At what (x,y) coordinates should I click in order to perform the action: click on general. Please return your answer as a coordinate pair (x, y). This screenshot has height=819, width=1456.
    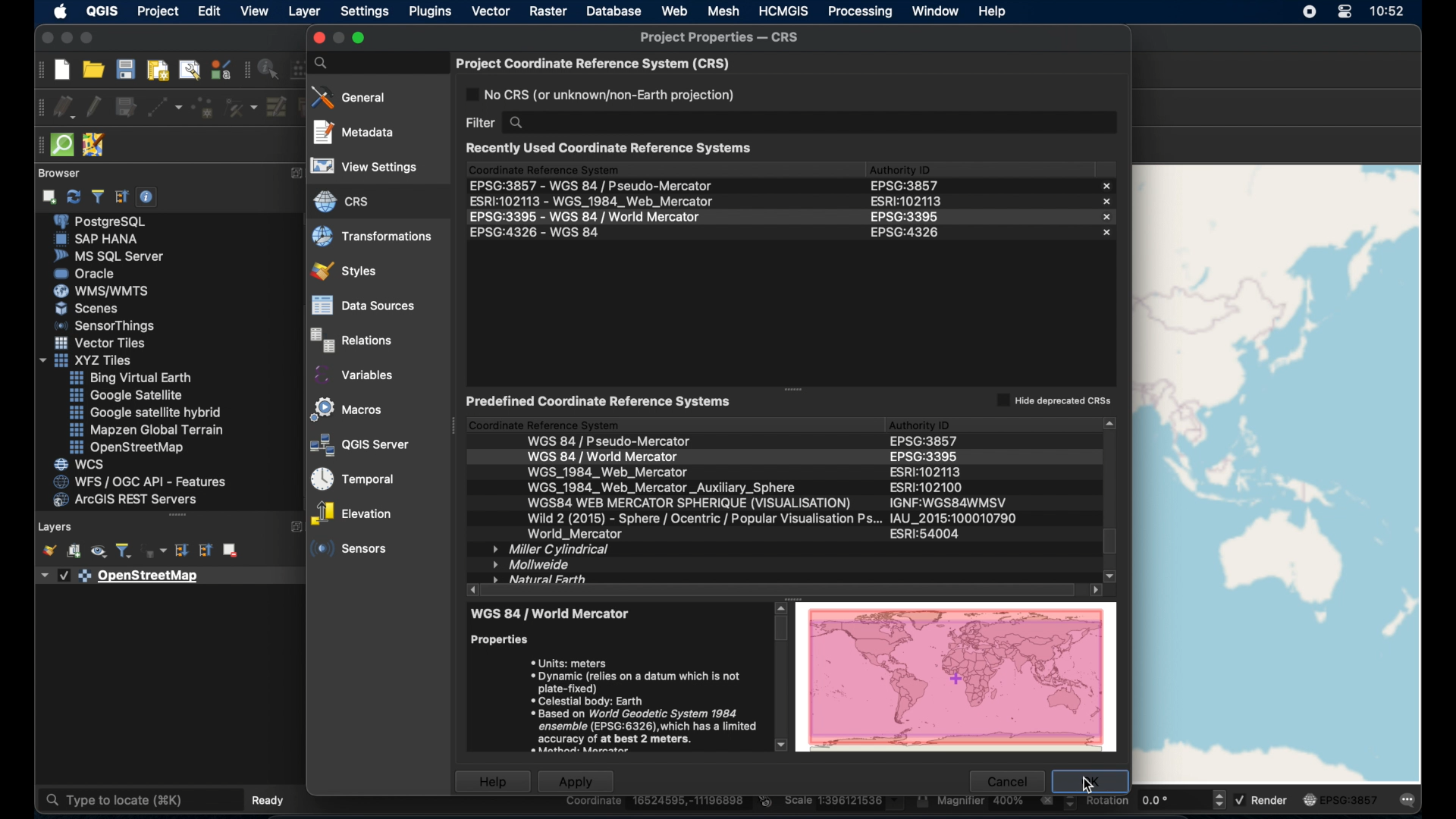
    Looking at the image, I should click on (350, 97).